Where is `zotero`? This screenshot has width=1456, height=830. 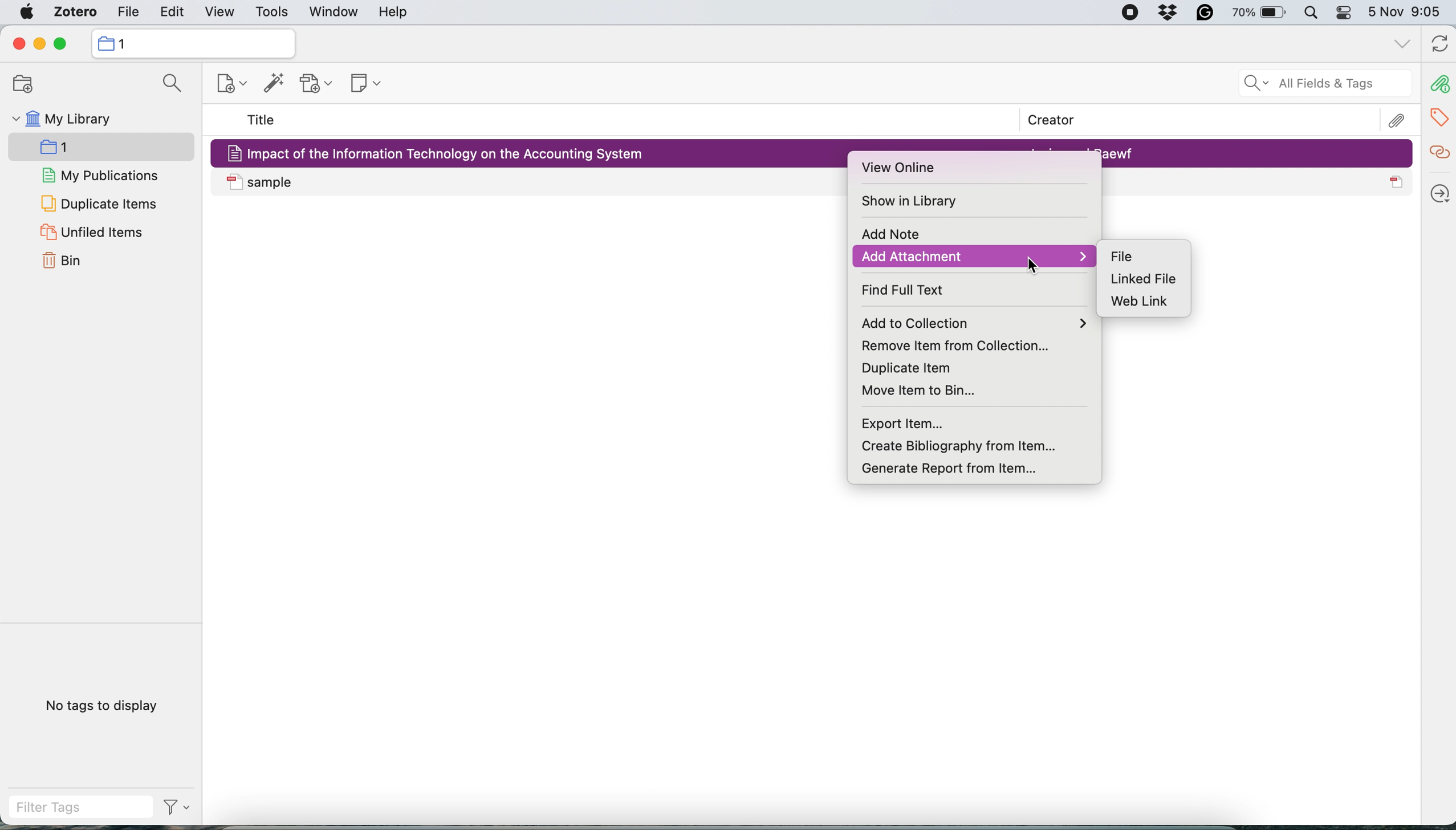
zotero is located at coordinates (71, 14).